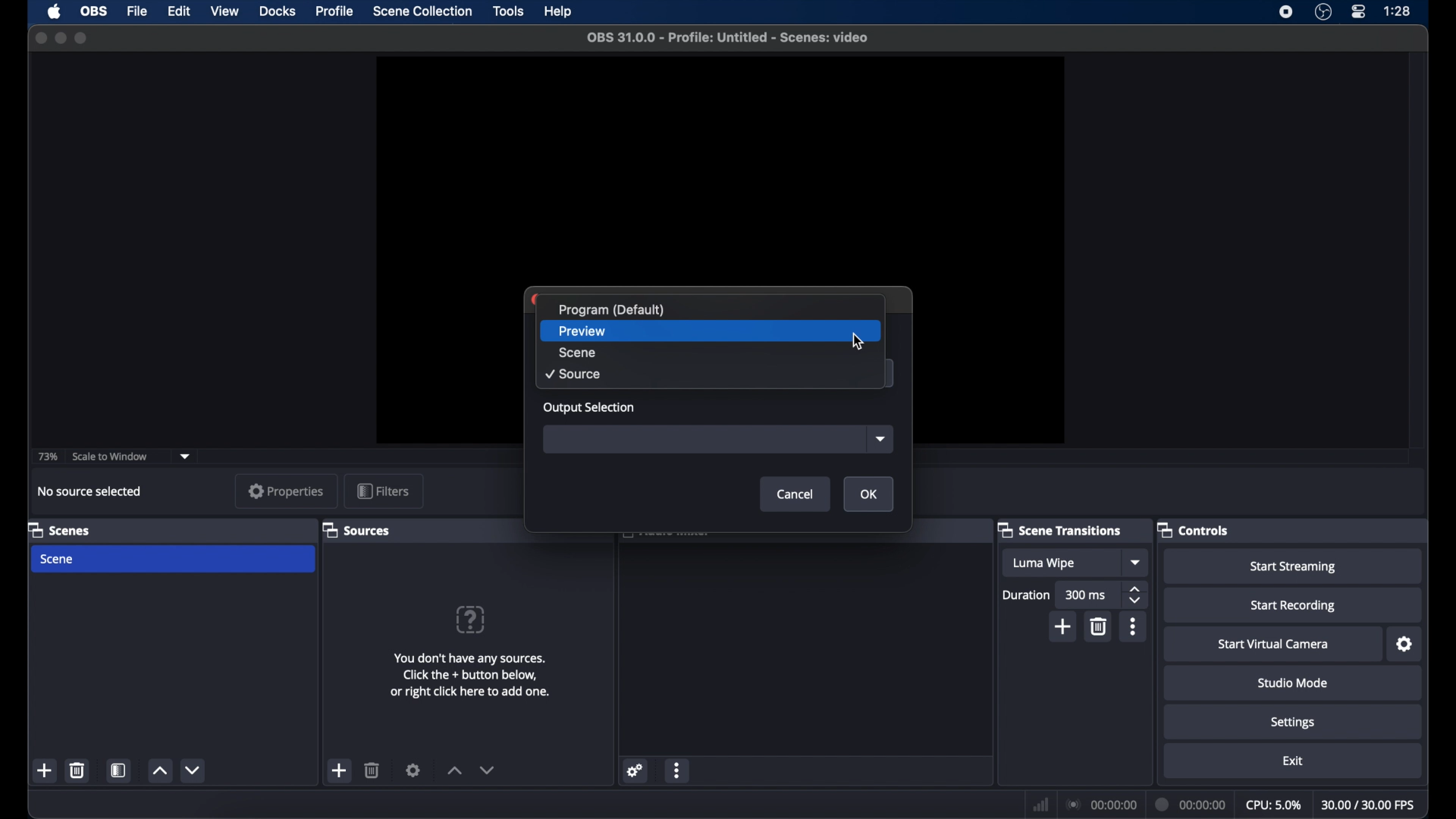  Describe the element at coordinates (383, 491) in the screenshot. I see `filters` at that location.